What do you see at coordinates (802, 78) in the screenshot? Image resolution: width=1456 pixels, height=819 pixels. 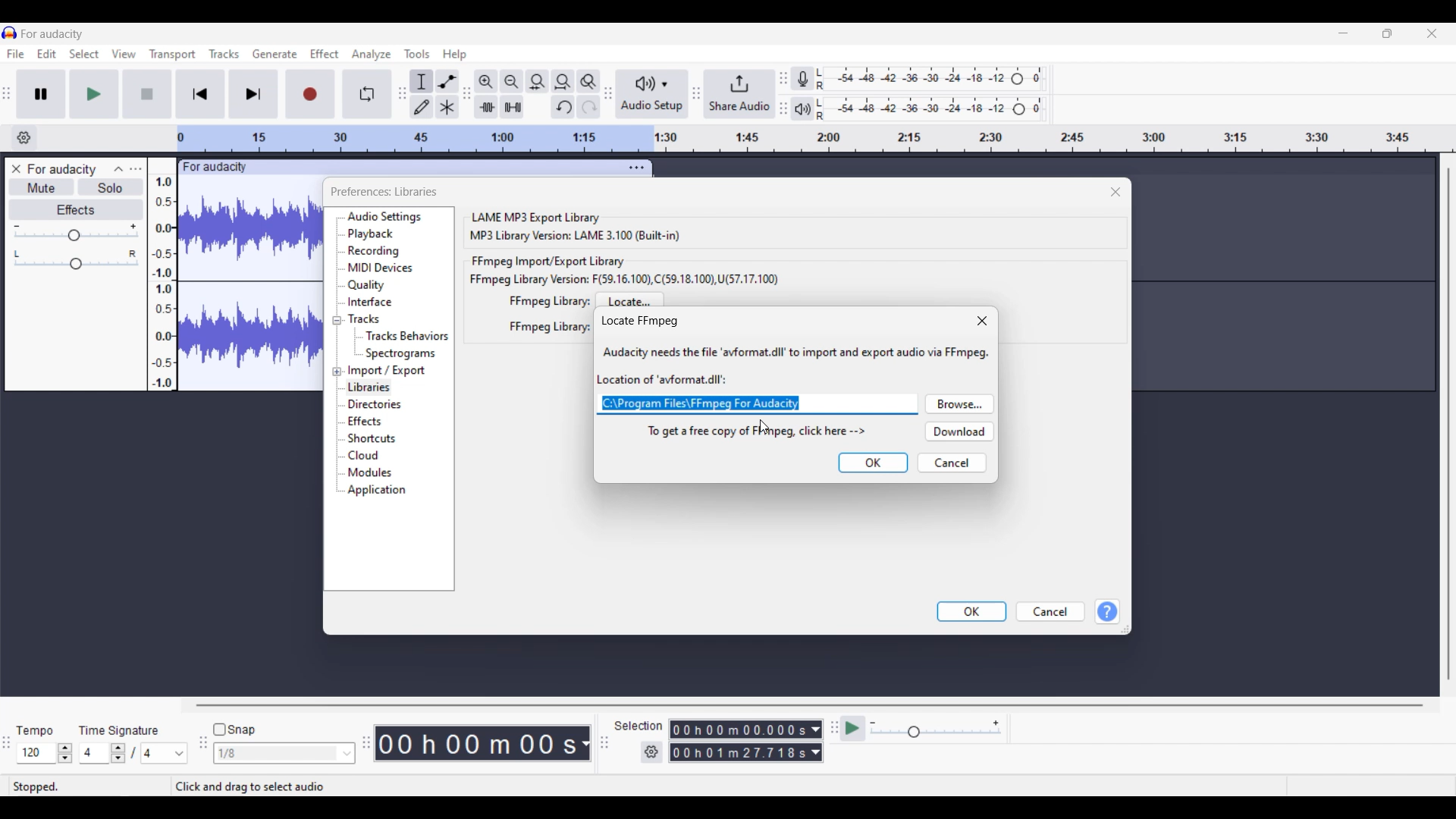 I see `Record meter` at bounding box center [802, 78].